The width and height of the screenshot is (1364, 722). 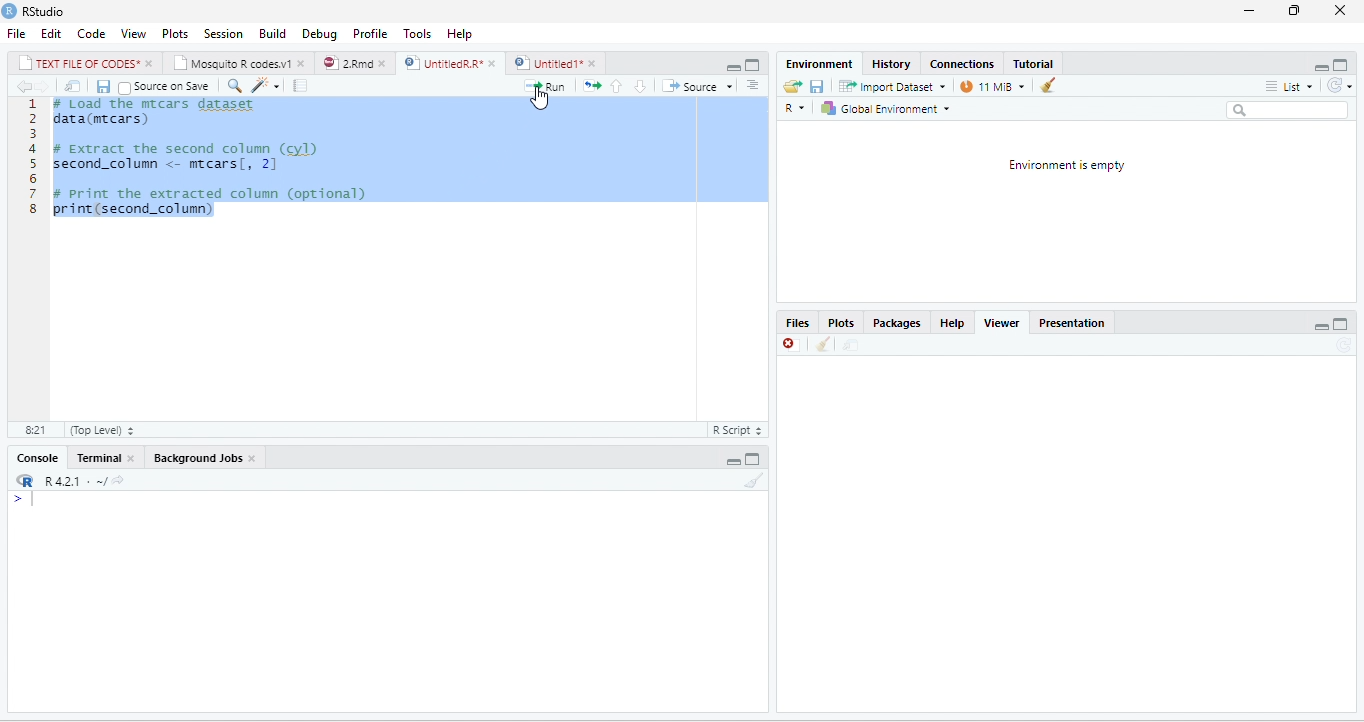 I want to click on History, so click(x=891, y=63).